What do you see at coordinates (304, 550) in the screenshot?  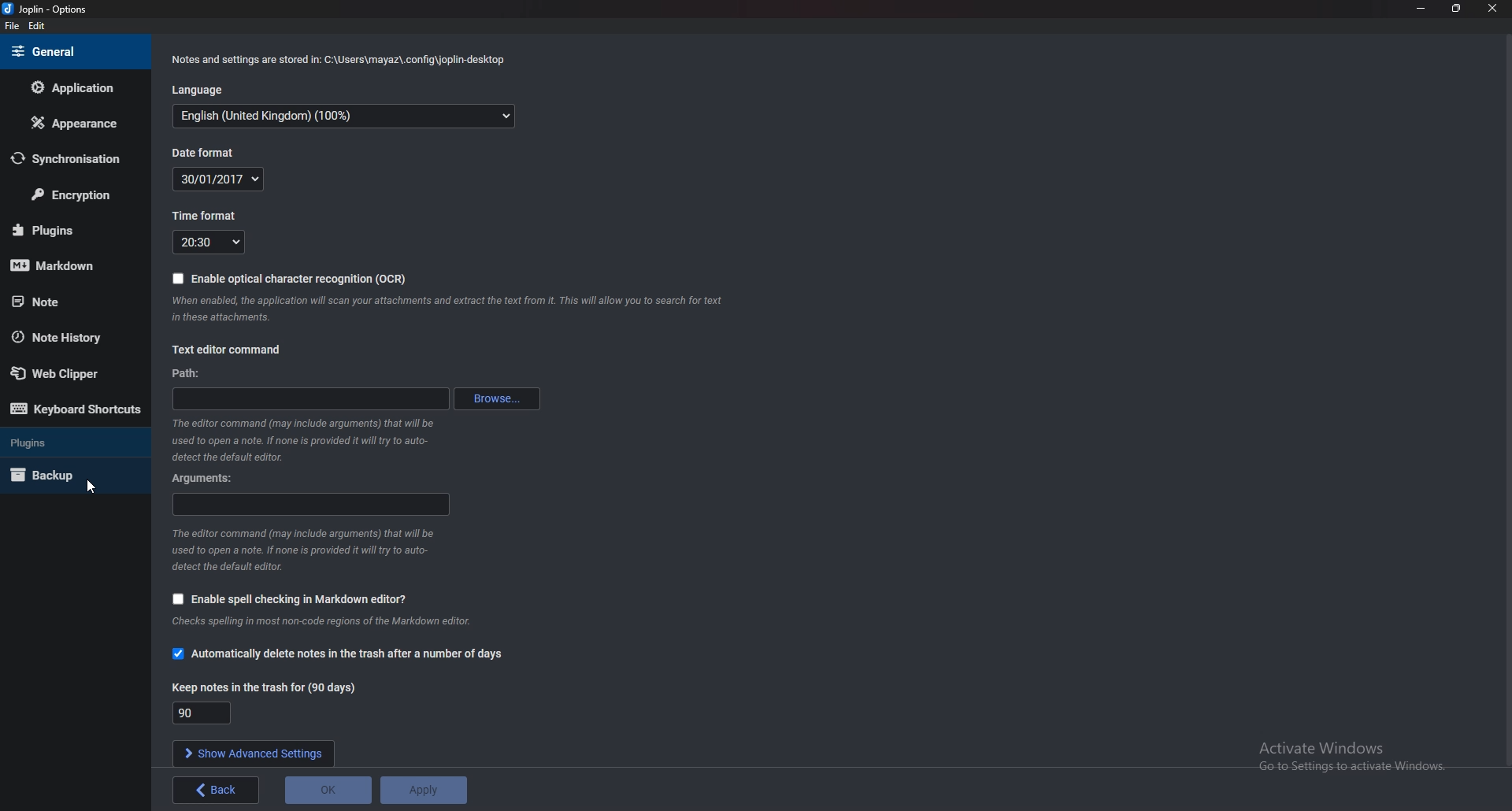 I see `Info on editor command` at bounding box center [304, 550].